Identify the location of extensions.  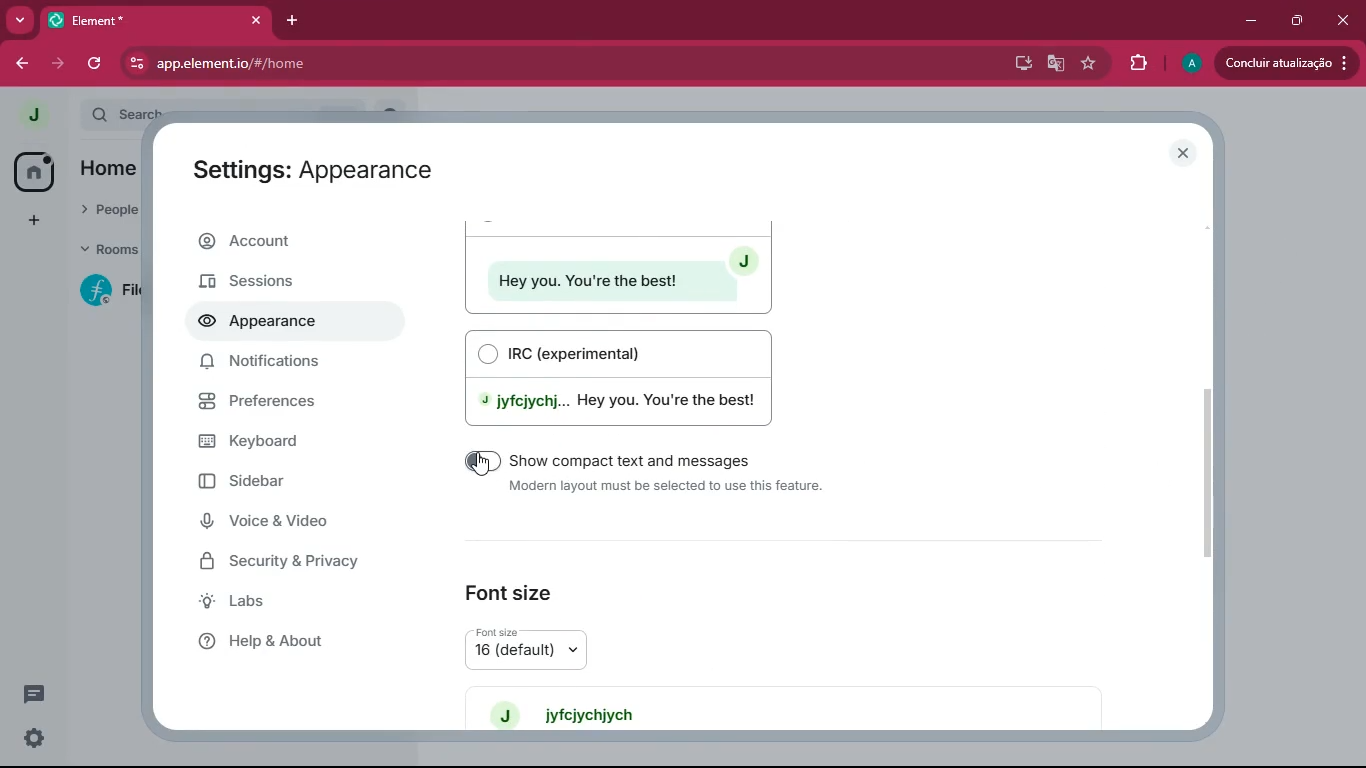
(1138, 61).